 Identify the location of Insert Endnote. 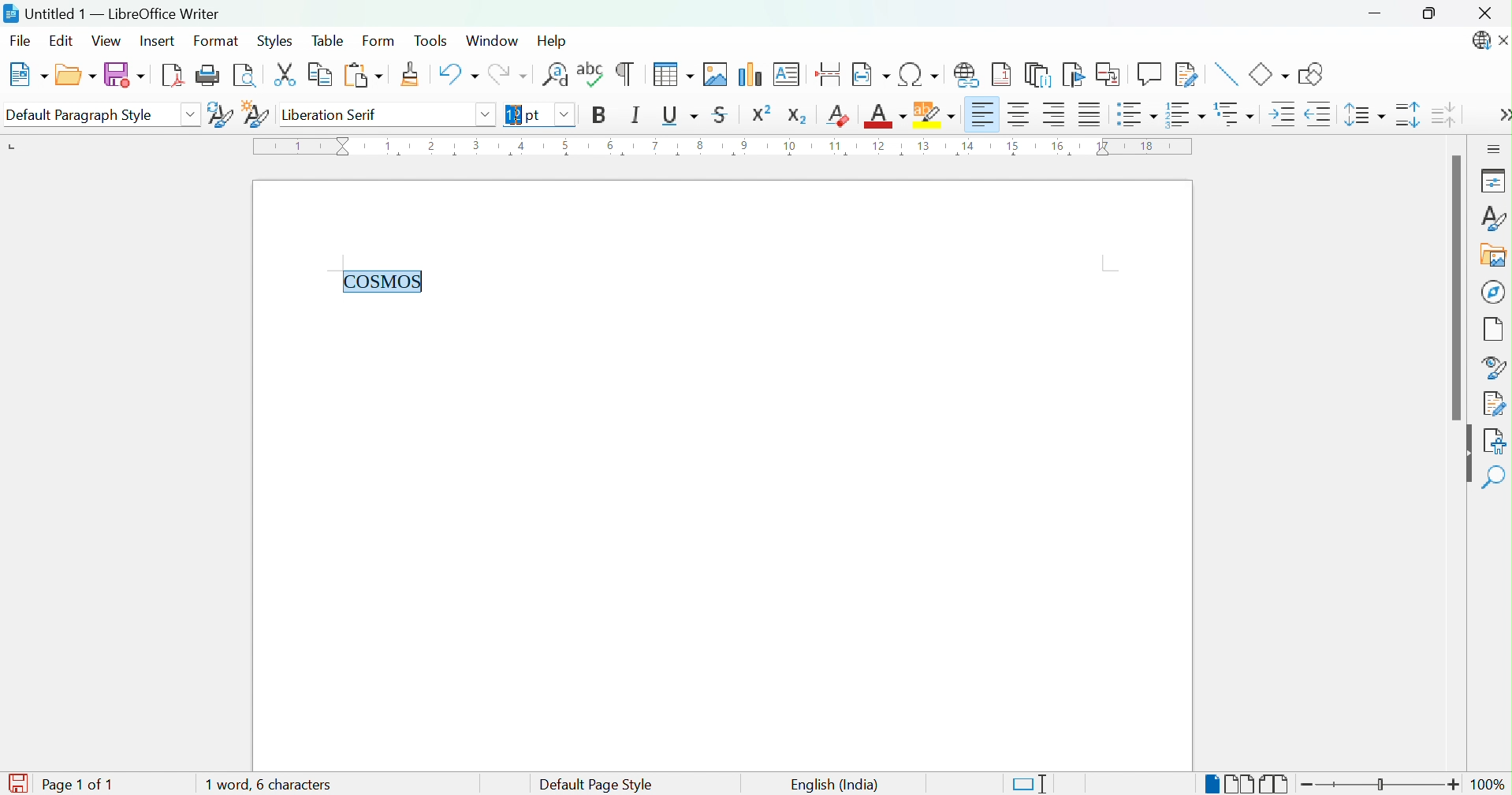
(1037, 74).